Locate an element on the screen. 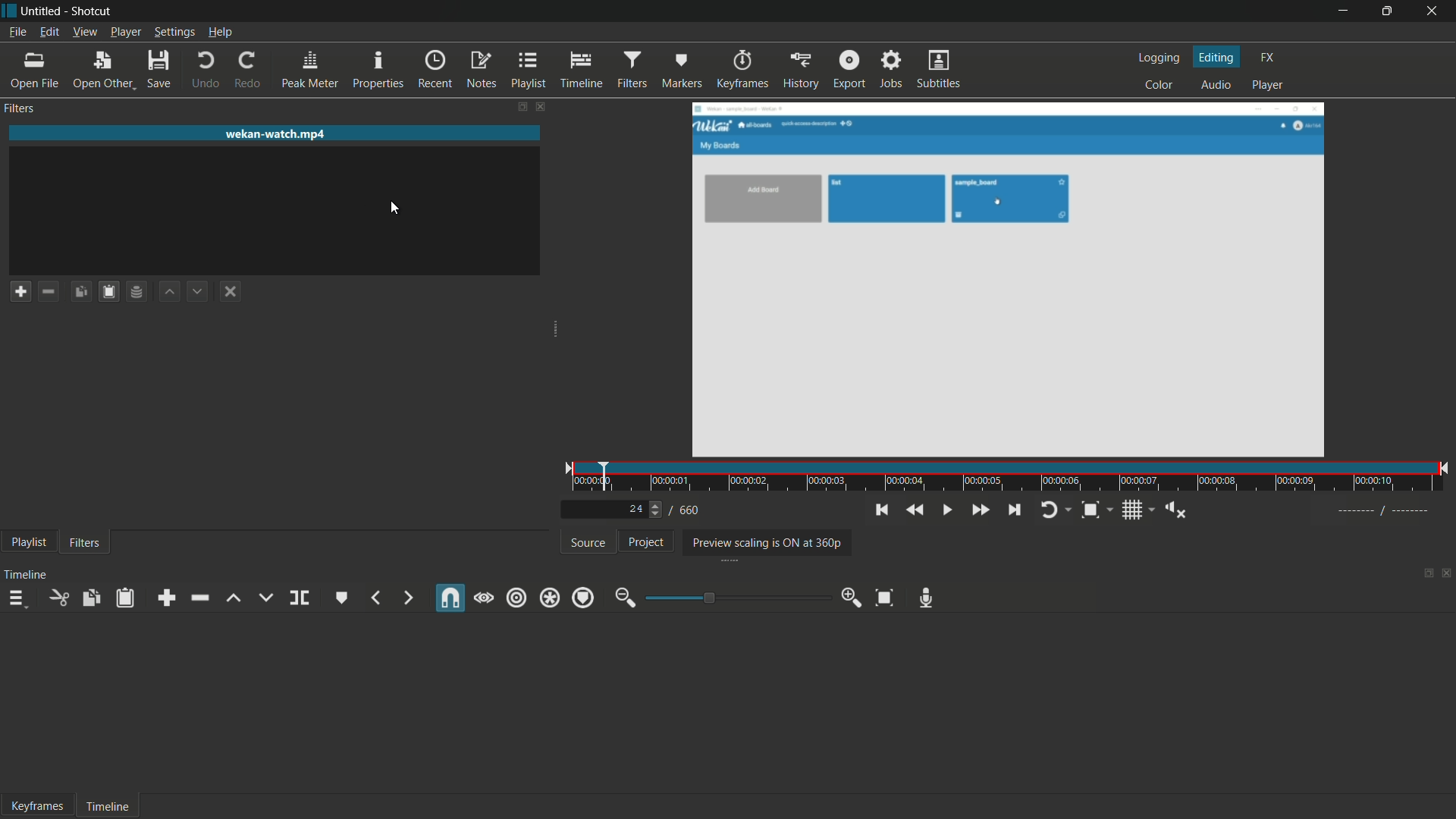  change layout is located at coordinates (516, 106).